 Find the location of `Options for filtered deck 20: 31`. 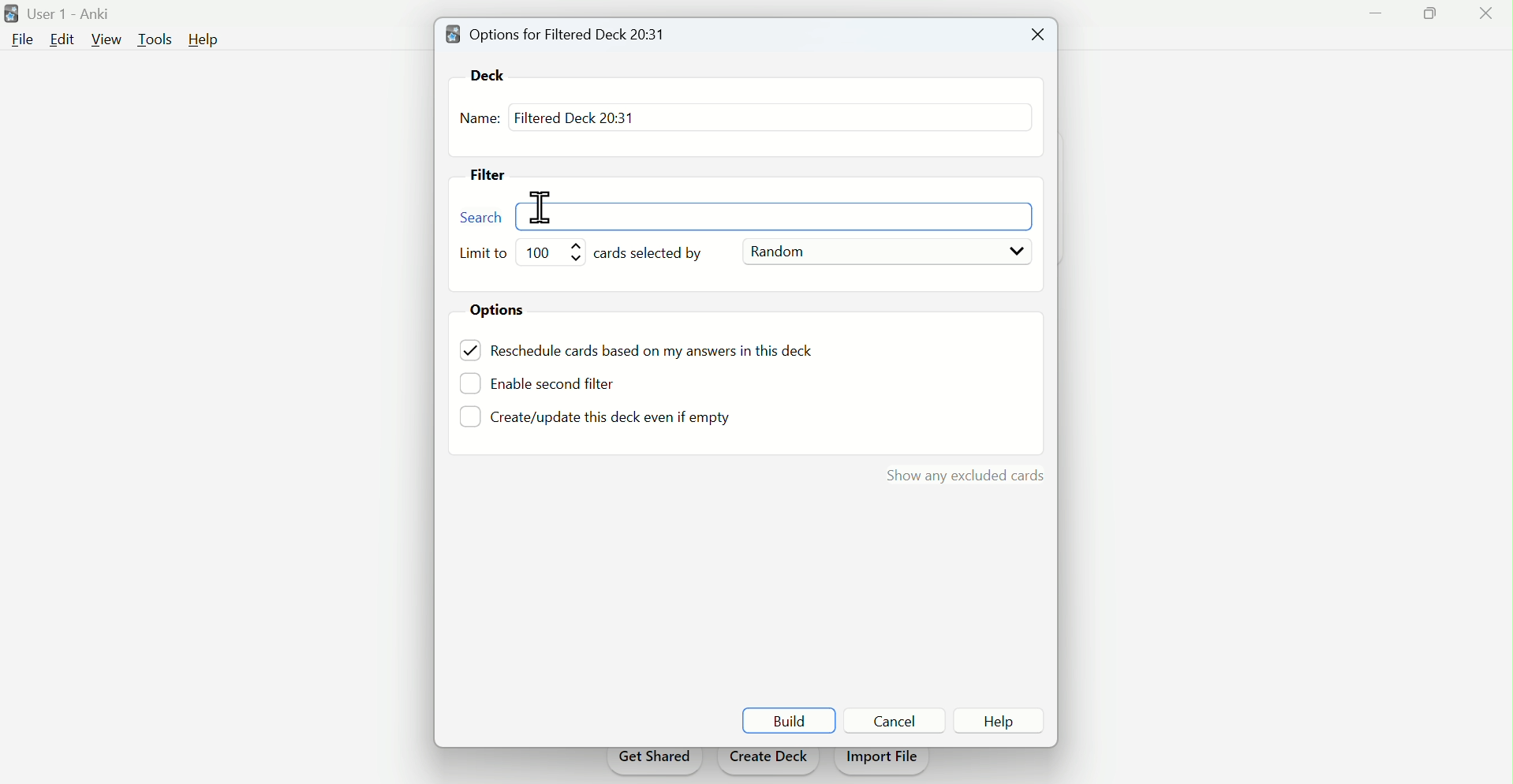

Options for filtered deck 20: 31 is located at coordinates (561, 33).